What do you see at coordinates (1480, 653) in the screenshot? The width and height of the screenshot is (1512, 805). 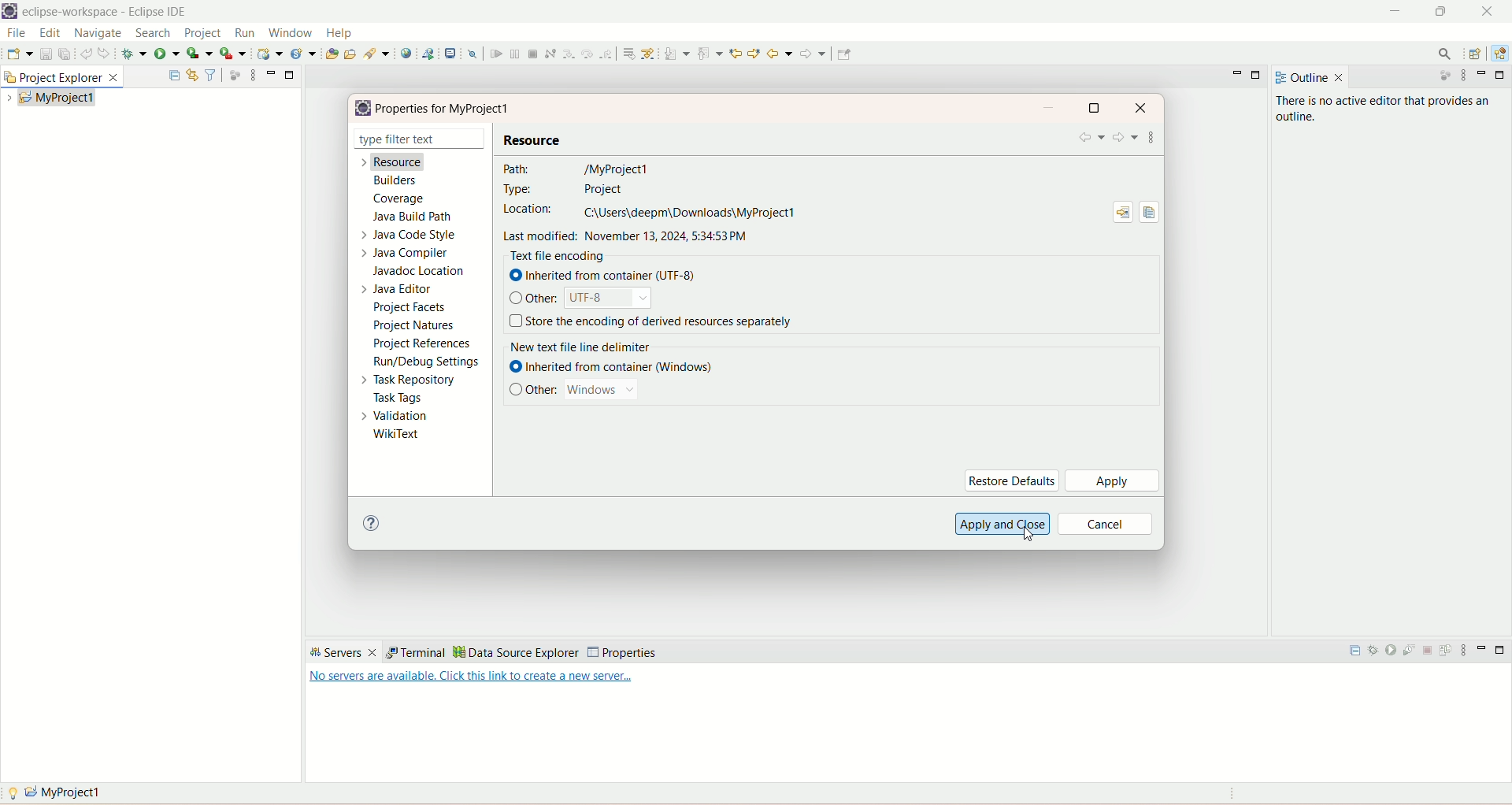 I see `minimize` at bounding box center [1480, 653].